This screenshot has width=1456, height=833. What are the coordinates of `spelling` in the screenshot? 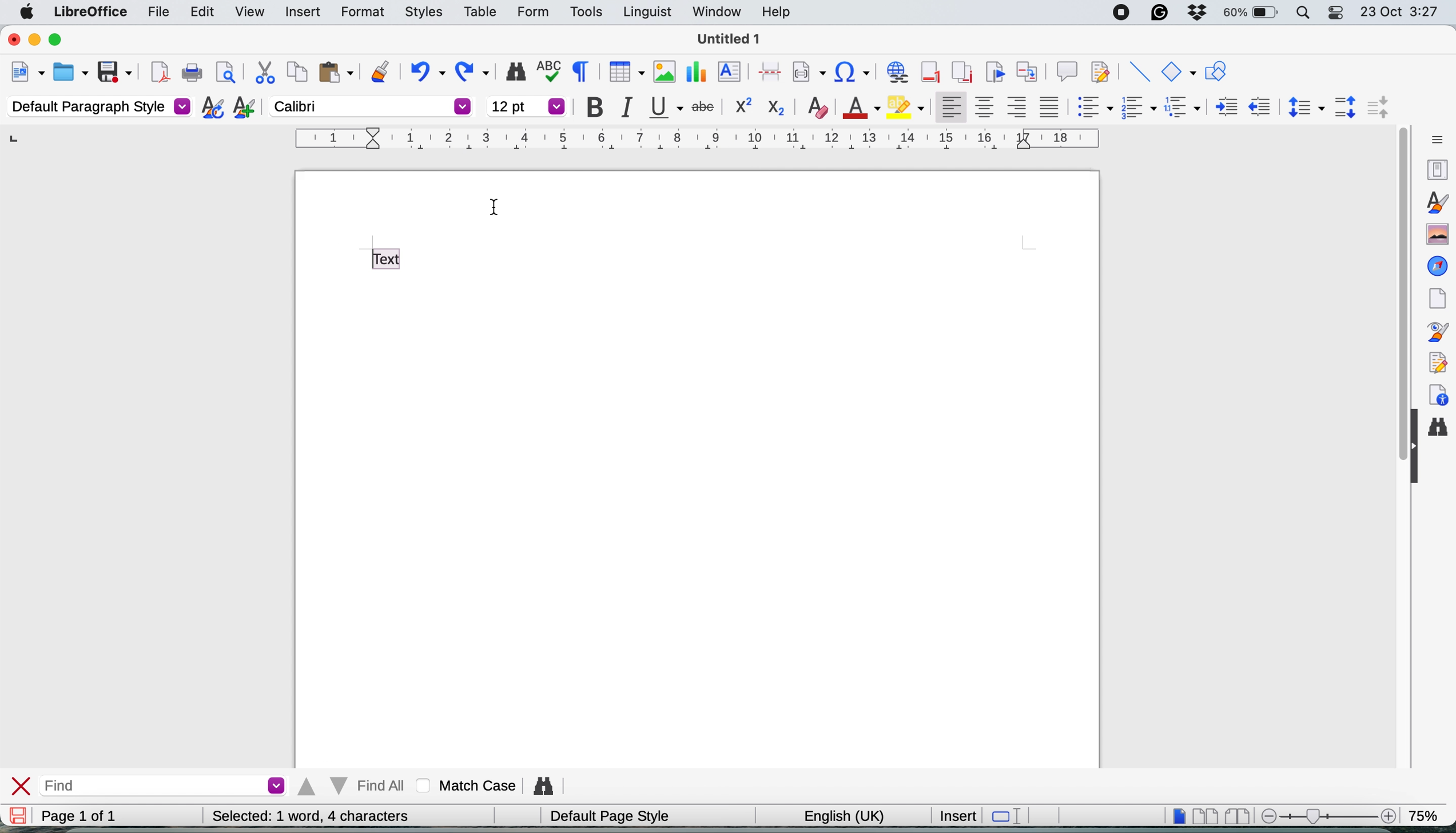 It's located at (547, 70).